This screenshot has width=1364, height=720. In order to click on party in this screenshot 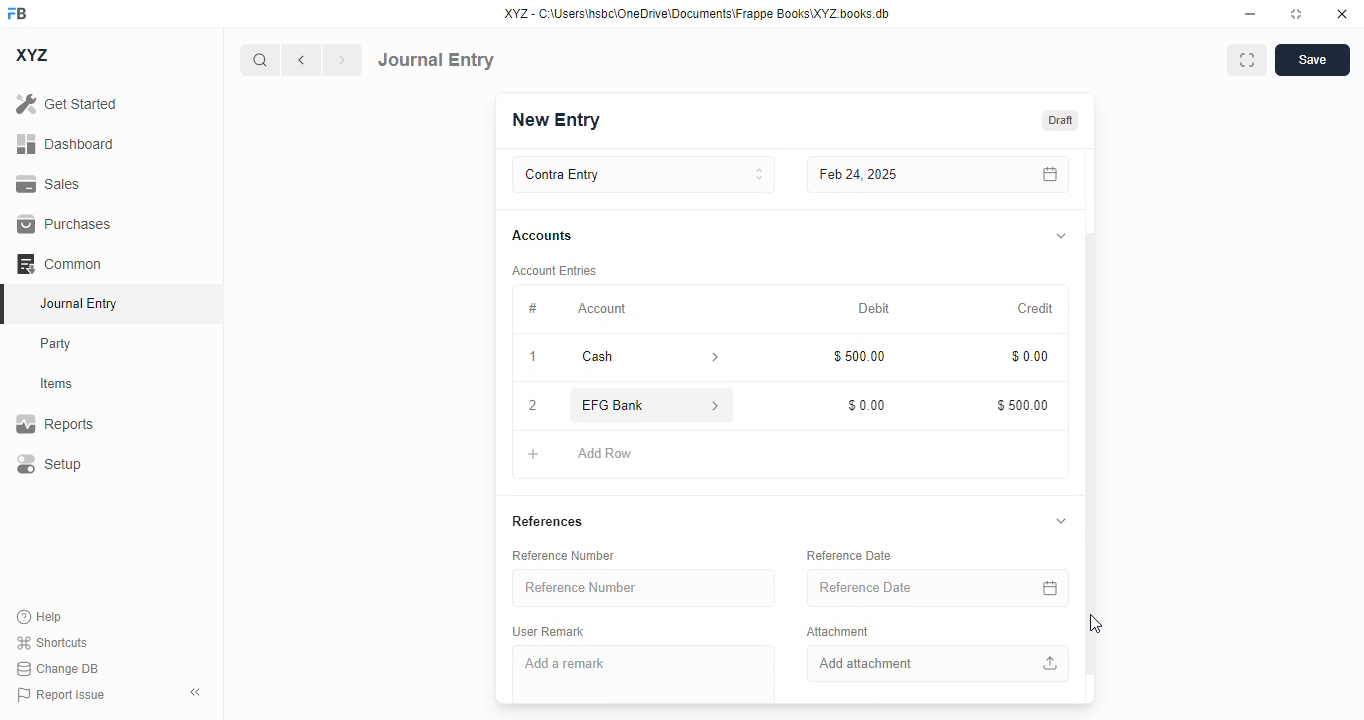, I will do `click(58, 344)`.